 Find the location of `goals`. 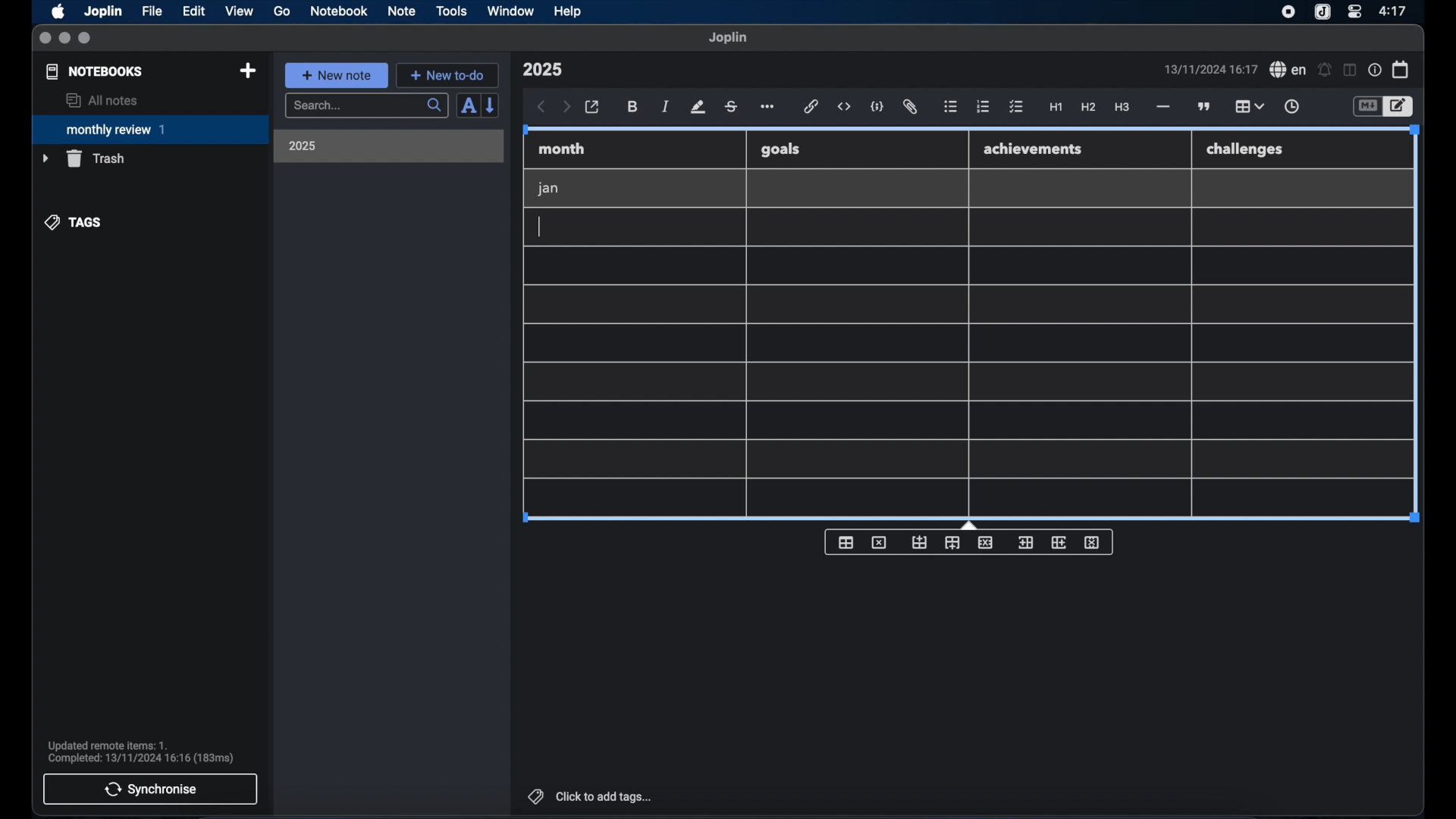

goals is located at coordinates (780, 149).